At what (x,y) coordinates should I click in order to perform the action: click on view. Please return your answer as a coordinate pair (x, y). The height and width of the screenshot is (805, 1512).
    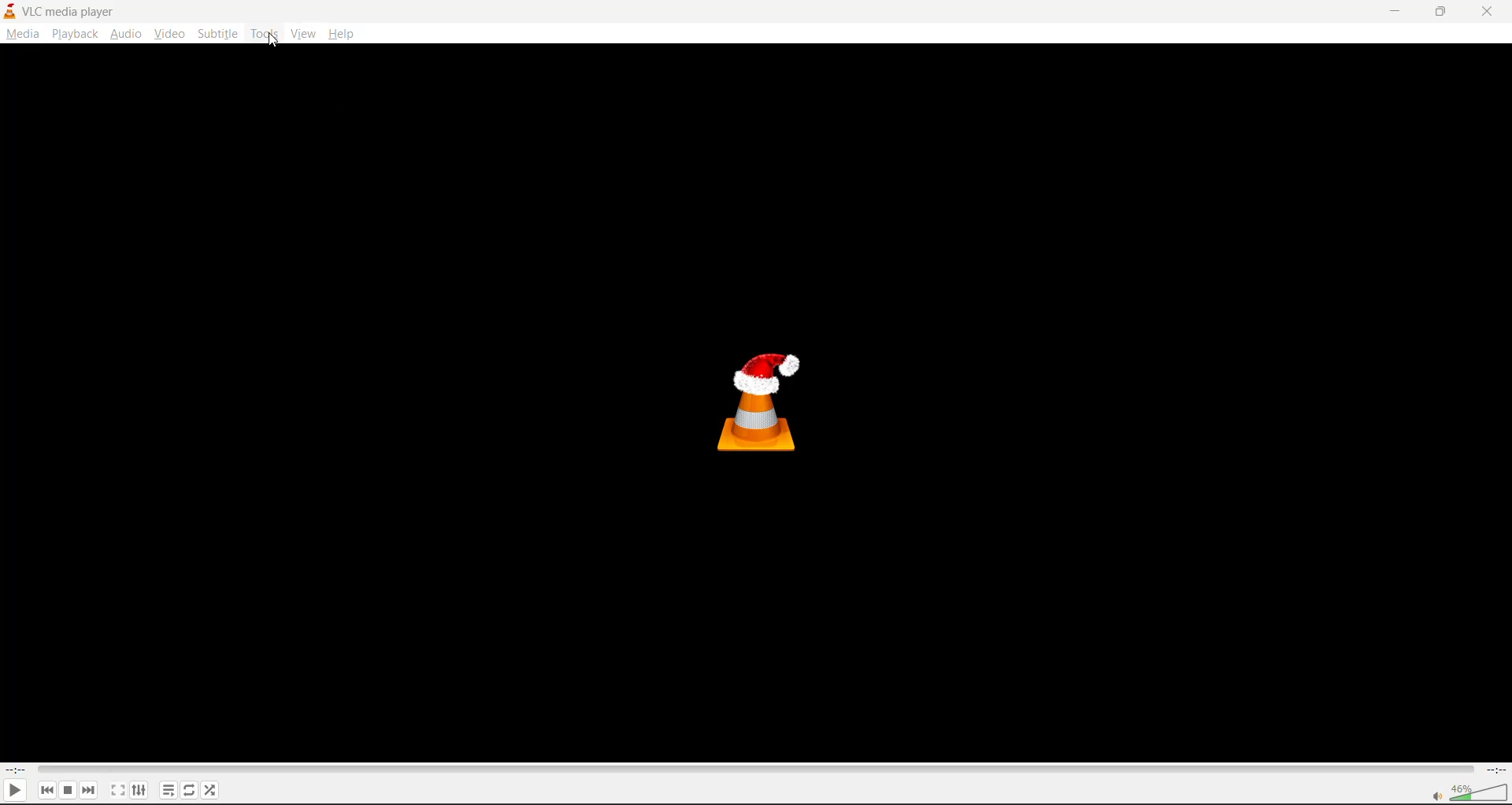
    Looking at the image, I should click on (303, 34).